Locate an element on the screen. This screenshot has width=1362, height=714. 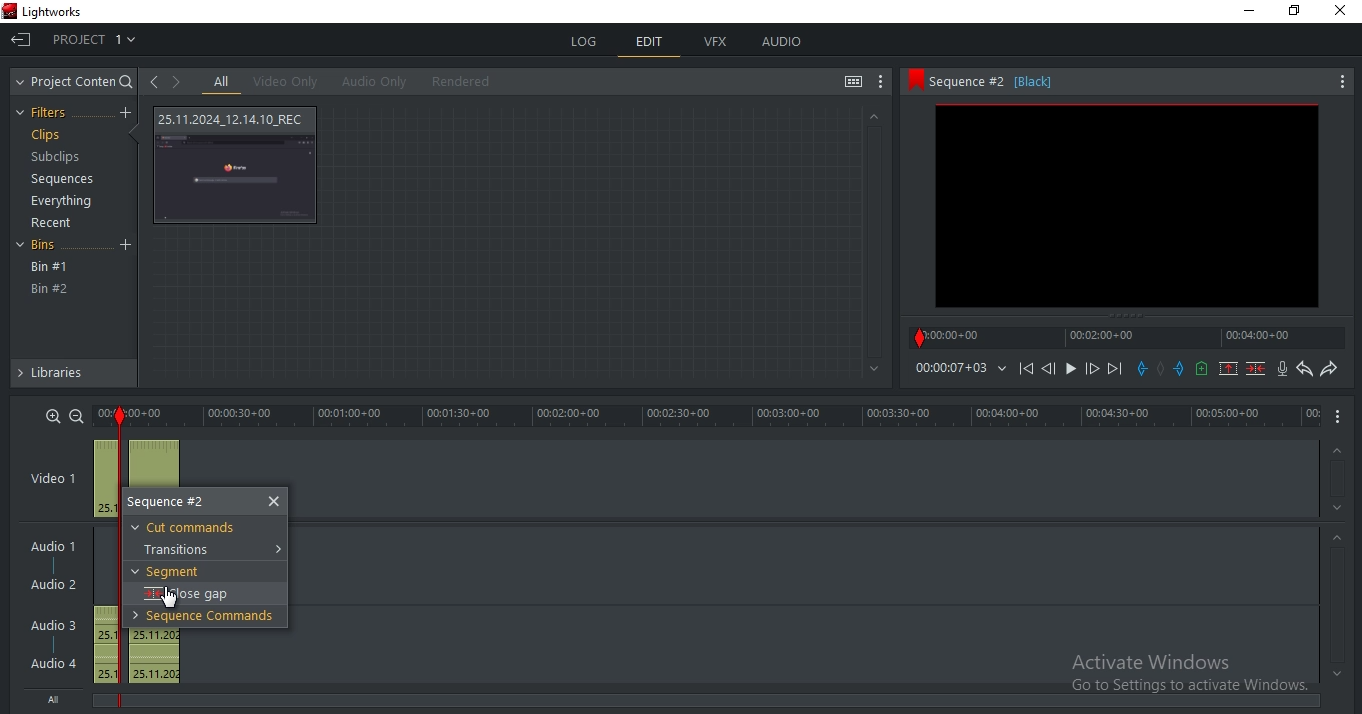
Forward is located at coordinates (1093, 369).